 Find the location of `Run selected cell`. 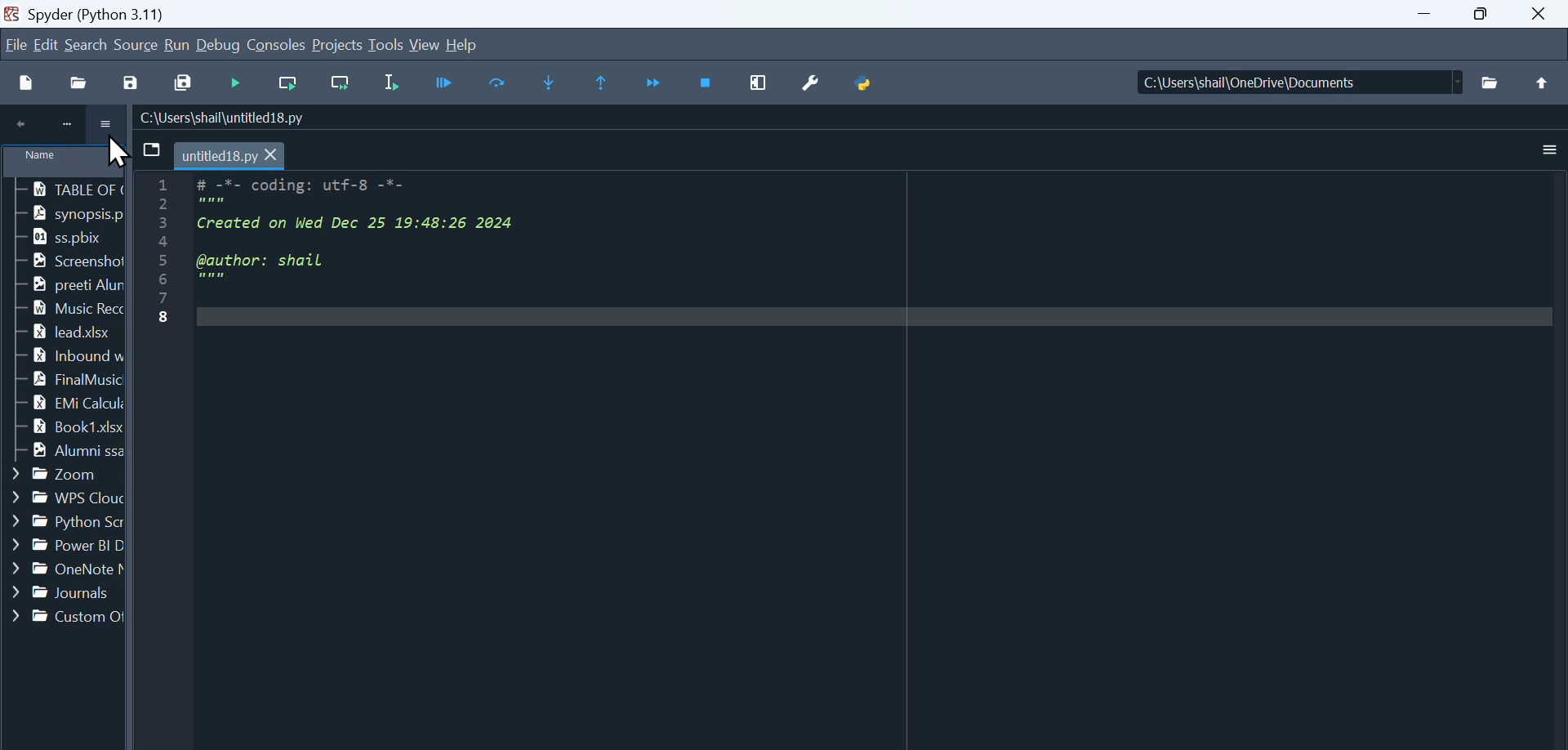

Run selected cell is located at coordinates (396, 83).